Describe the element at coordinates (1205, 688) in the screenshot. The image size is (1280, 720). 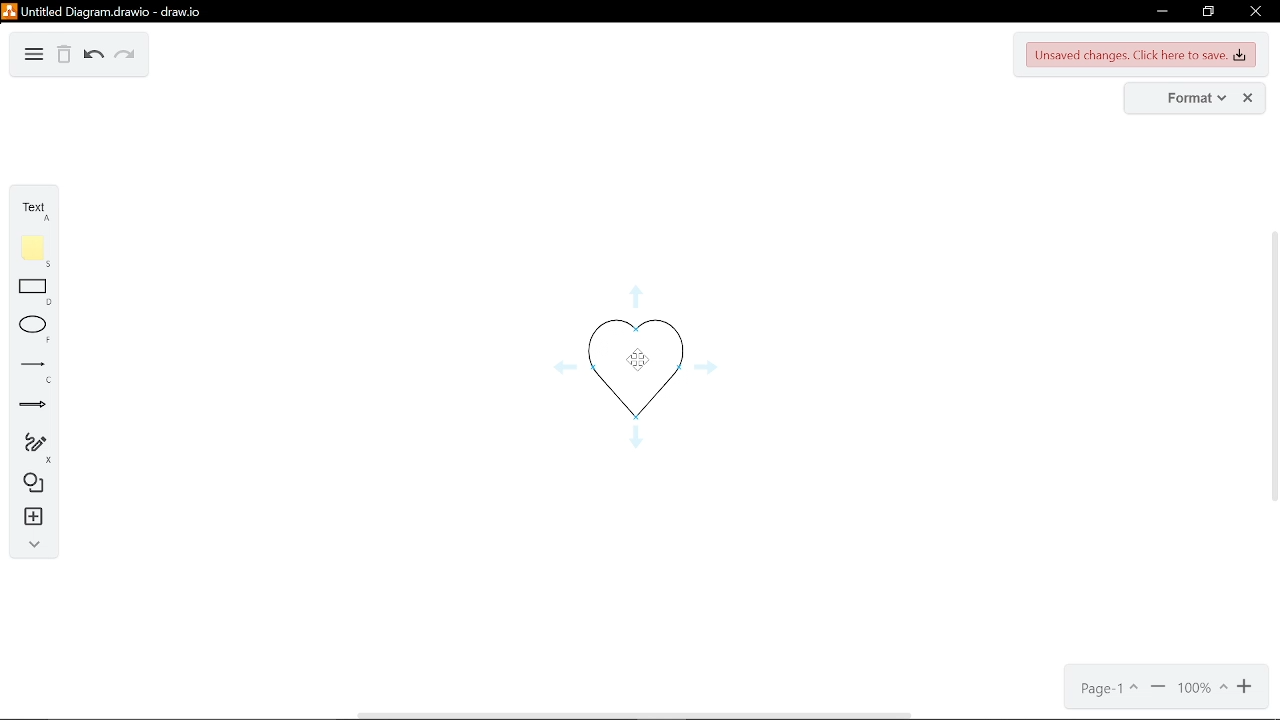
I see `100%` at that location.